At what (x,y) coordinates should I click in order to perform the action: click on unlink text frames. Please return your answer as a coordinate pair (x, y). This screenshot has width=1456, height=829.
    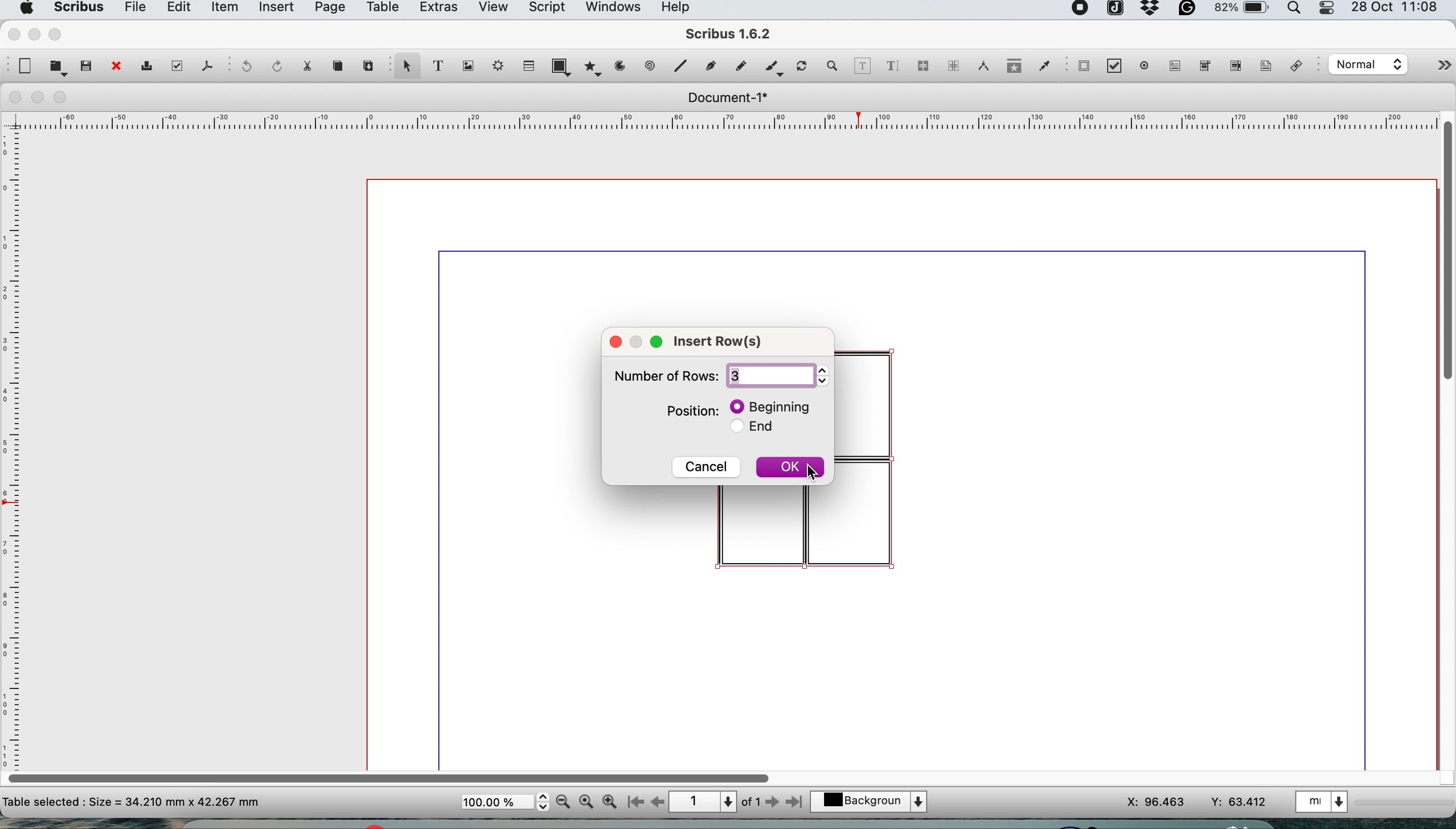
    Looking at the image, I should click on (953, 69).